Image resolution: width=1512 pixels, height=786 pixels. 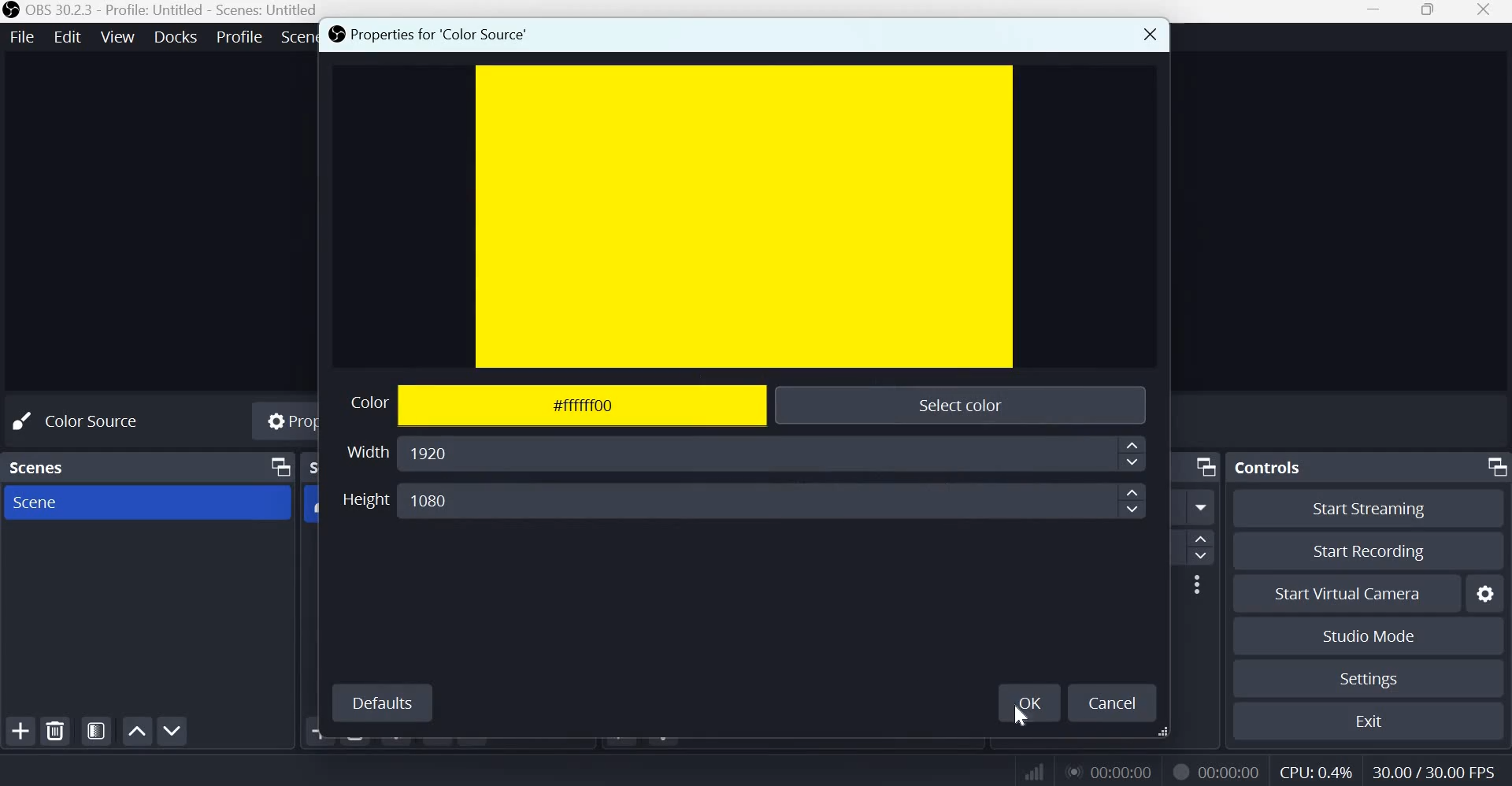 What do you see at coordinates (297, 37) in the screenshot?
I see `Scene Collection` at bounding box center [297, 37].